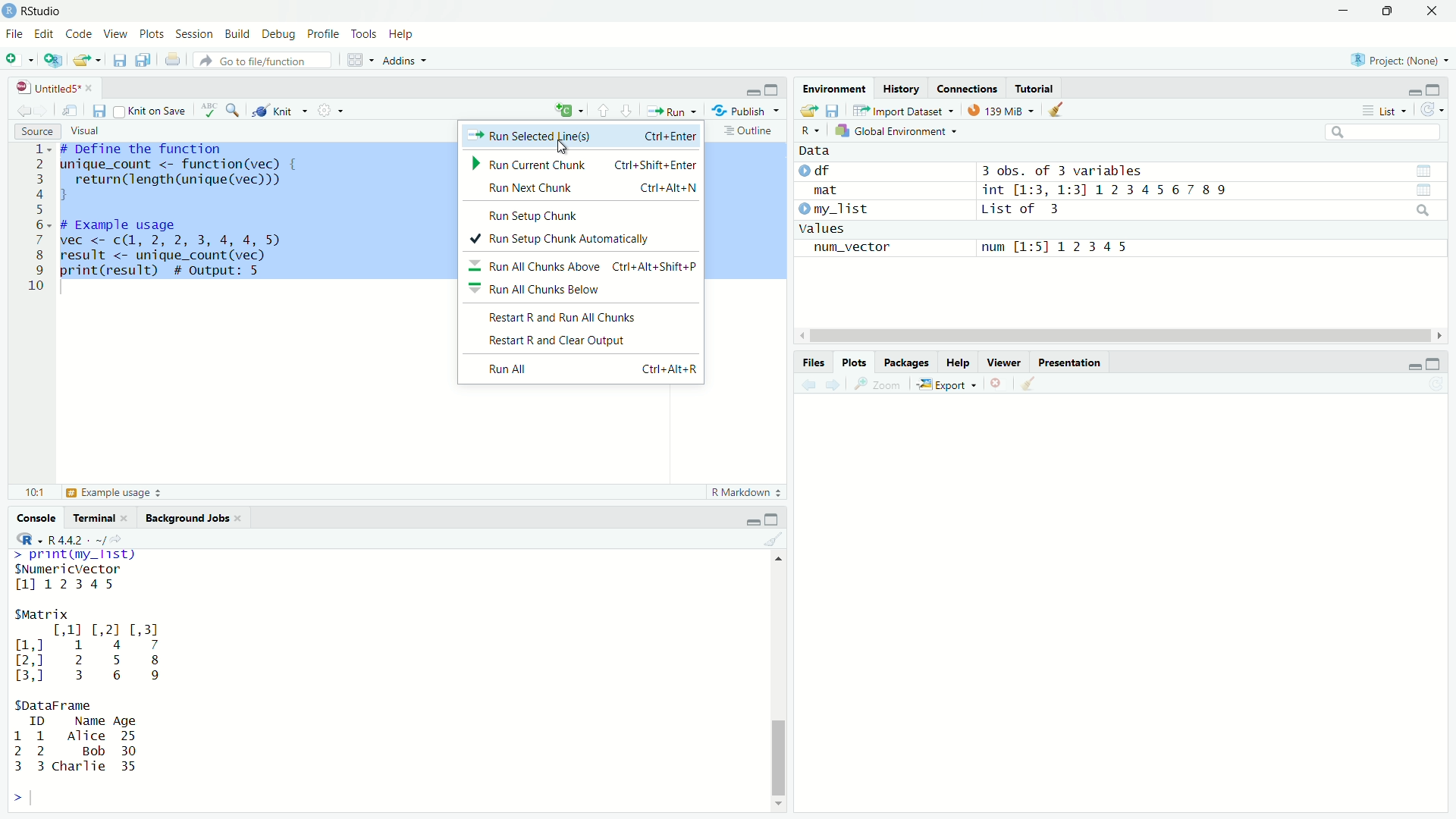  What do you see at coordinates (177, 215) in the screenshot?
I see `# Define the function
inique_count <- function(vec) {
return(length (unique (vec)))

J

¢ Example usage

vec <- c(1, 2, 2, 3, 4, 4, 5
result <- unique_count (vec)
orint(result) # output: 5` at bounding box center [177, 215].